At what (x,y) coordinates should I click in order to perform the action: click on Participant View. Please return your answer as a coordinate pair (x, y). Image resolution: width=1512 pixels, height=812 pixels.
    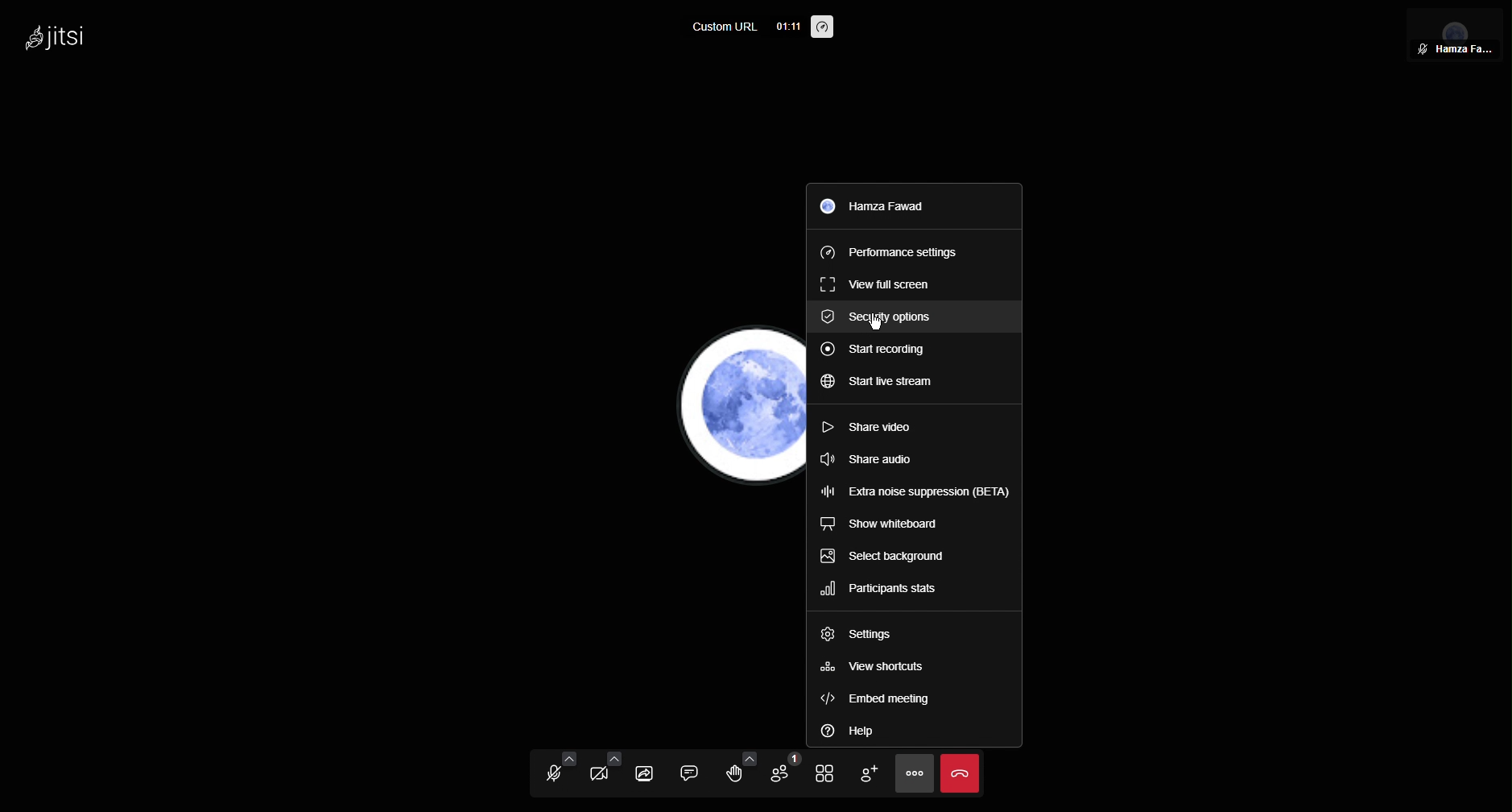
    Looking at the image, I should click on (1456, 34).